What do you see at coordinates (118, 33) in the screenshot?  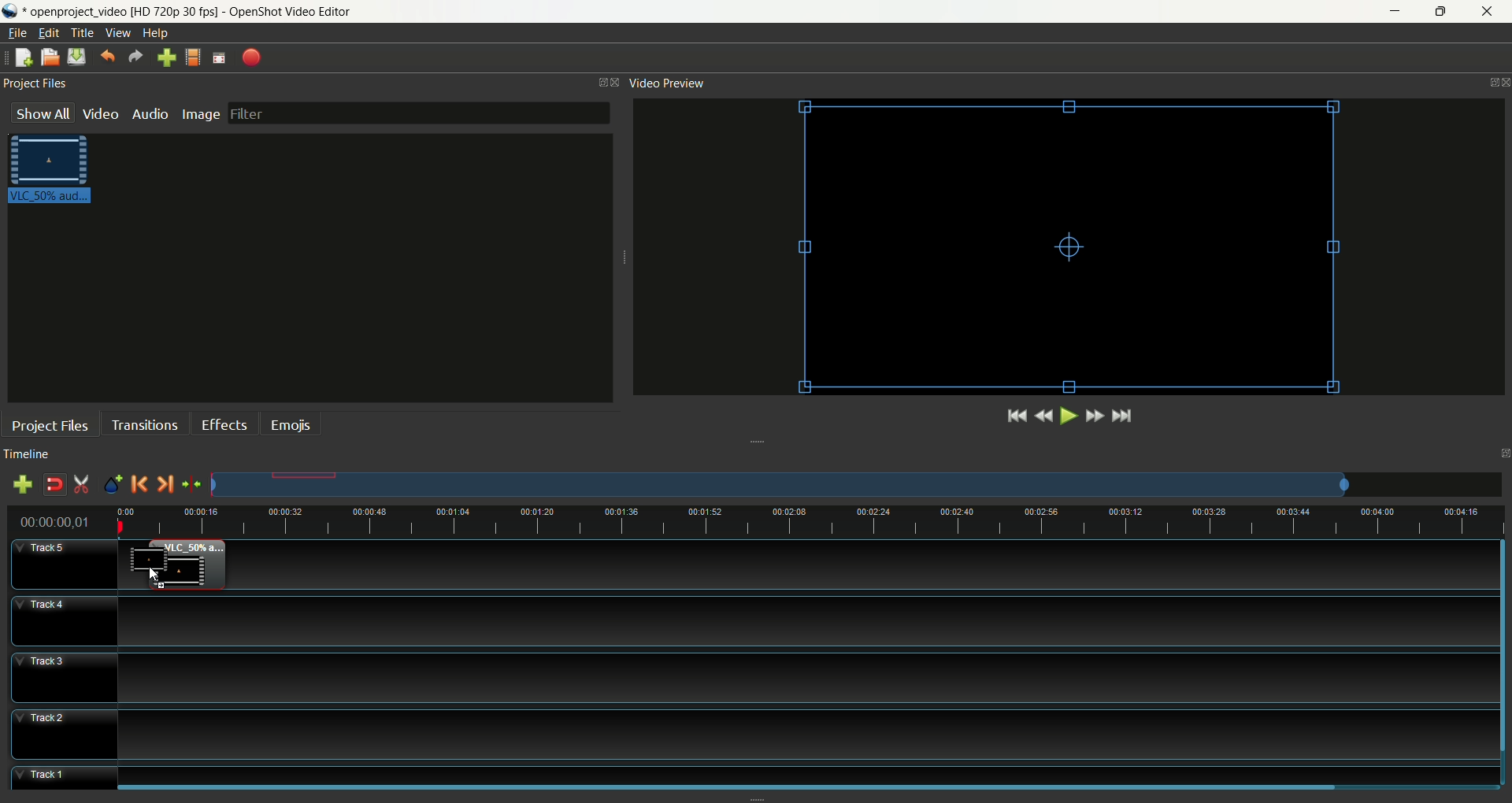 I see `view` at bounding box center [118, 33].